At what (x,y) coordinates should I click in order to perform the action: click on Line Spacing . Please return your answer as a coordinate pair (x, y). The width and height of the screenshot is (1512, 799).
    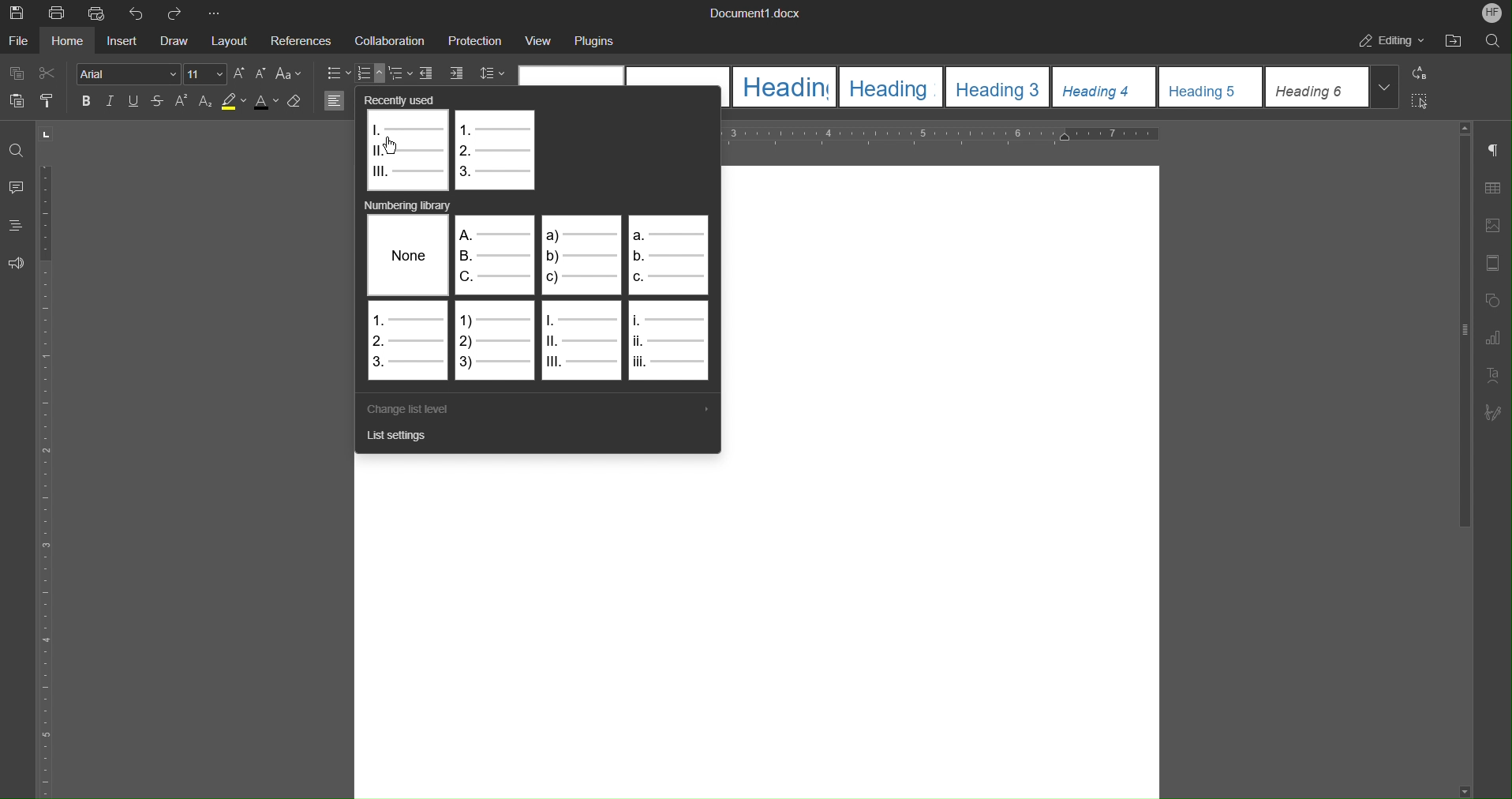
    Looking at the image, I should click on (489, 74).